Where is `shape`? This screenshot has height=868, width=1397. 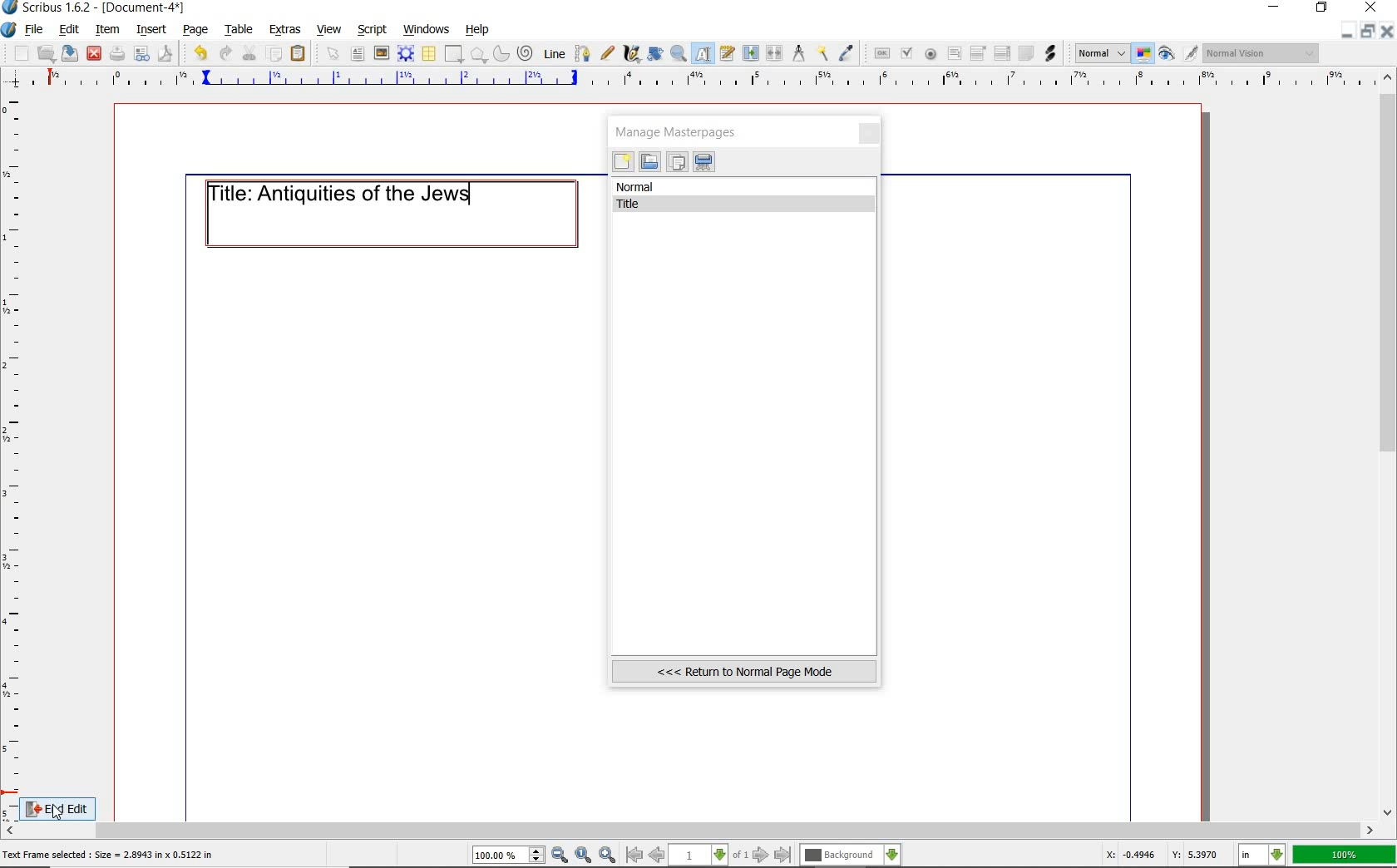 shape is located at coordinates (454, 55).